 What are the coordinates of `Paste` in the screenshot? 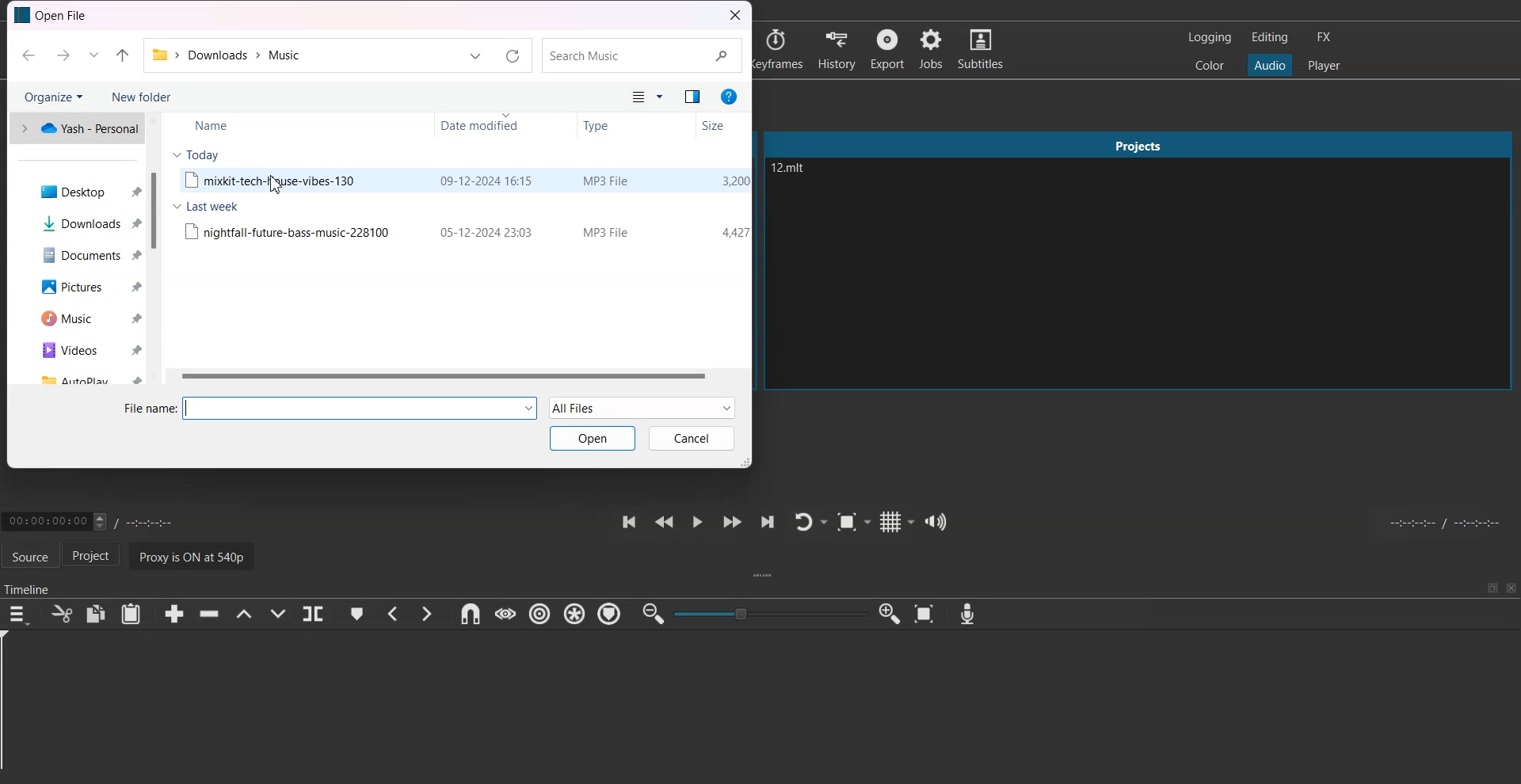 It's located at (131, 614).